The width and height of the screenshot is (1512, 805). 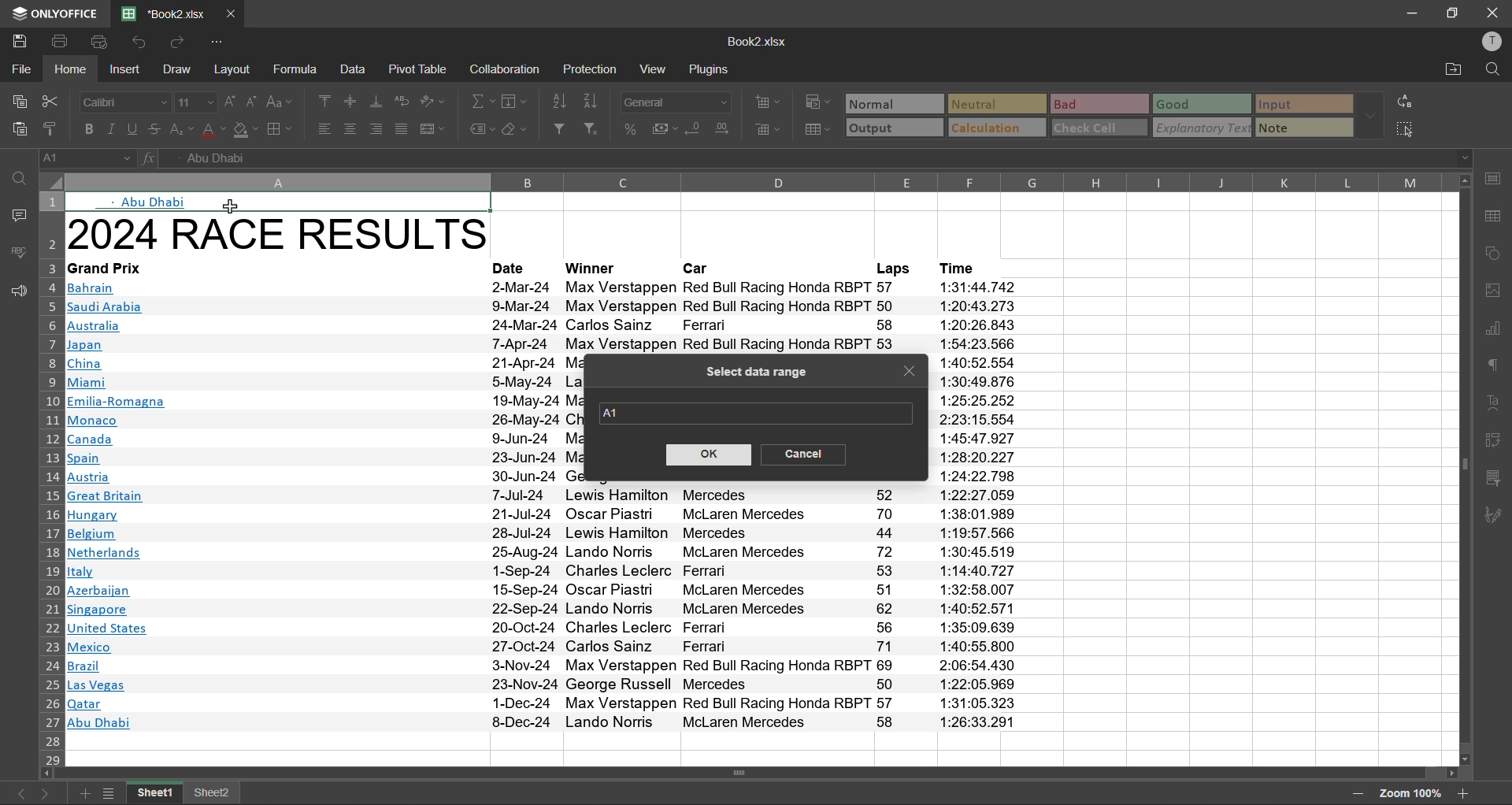 I want to click on italic, so click(x=109, y=128).